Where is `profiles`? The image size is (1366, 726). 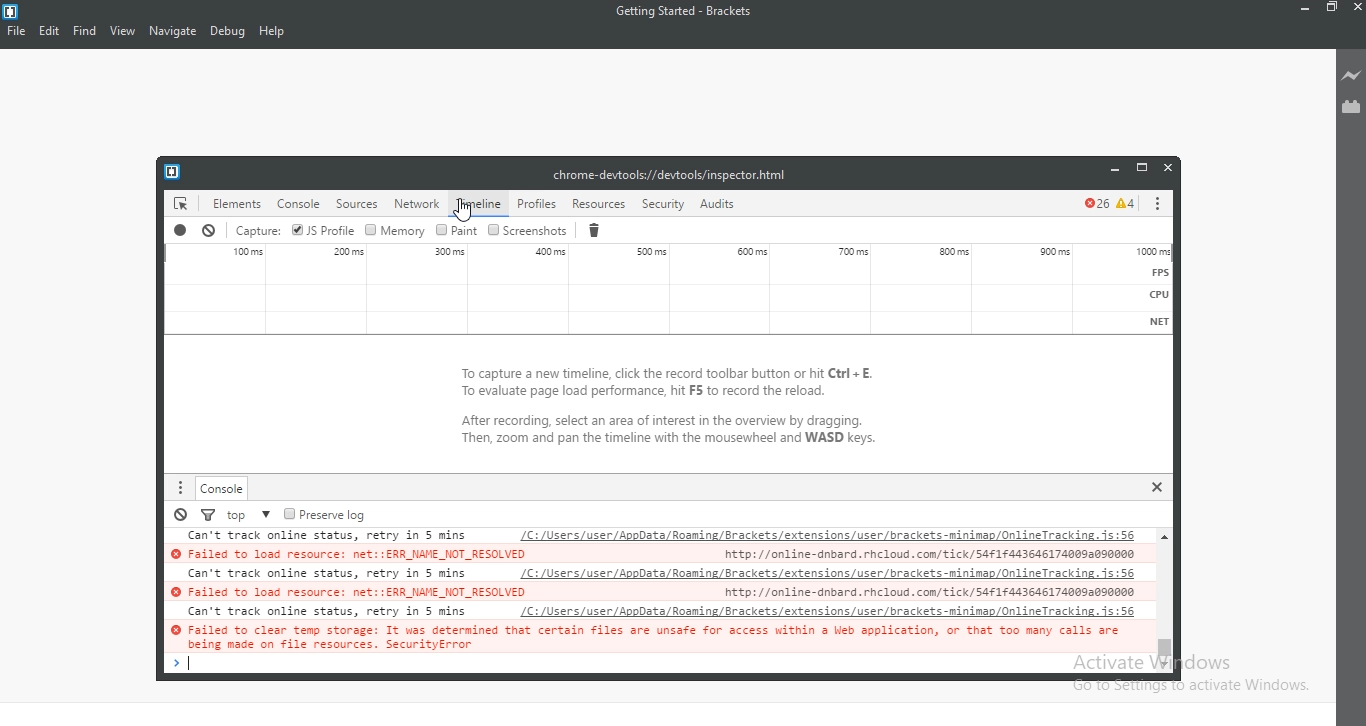 profiles is located at coordinates (536, 203).